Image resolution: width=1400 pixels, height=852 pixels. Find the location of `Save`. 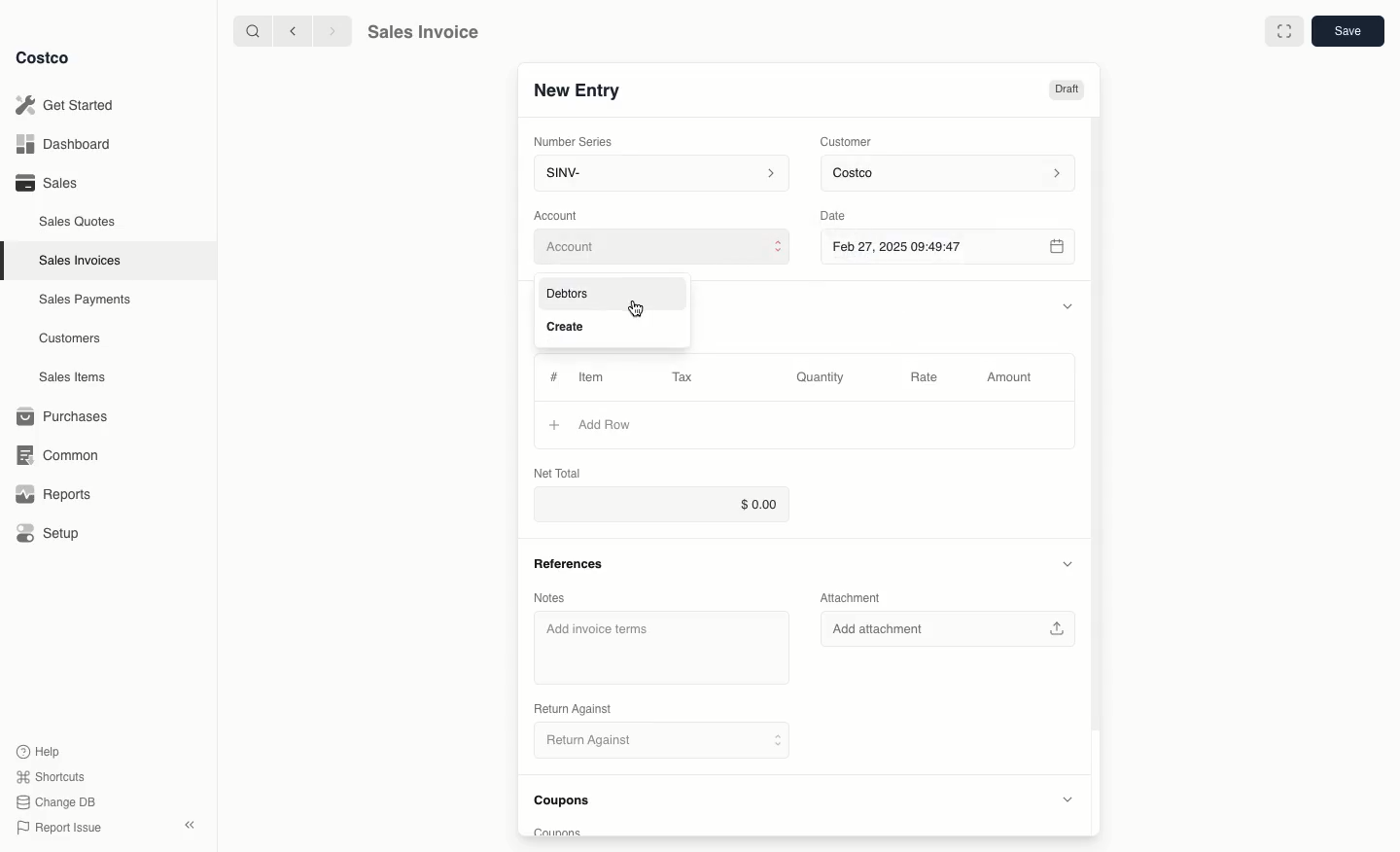

Save is located at coordinates (1347, 32).